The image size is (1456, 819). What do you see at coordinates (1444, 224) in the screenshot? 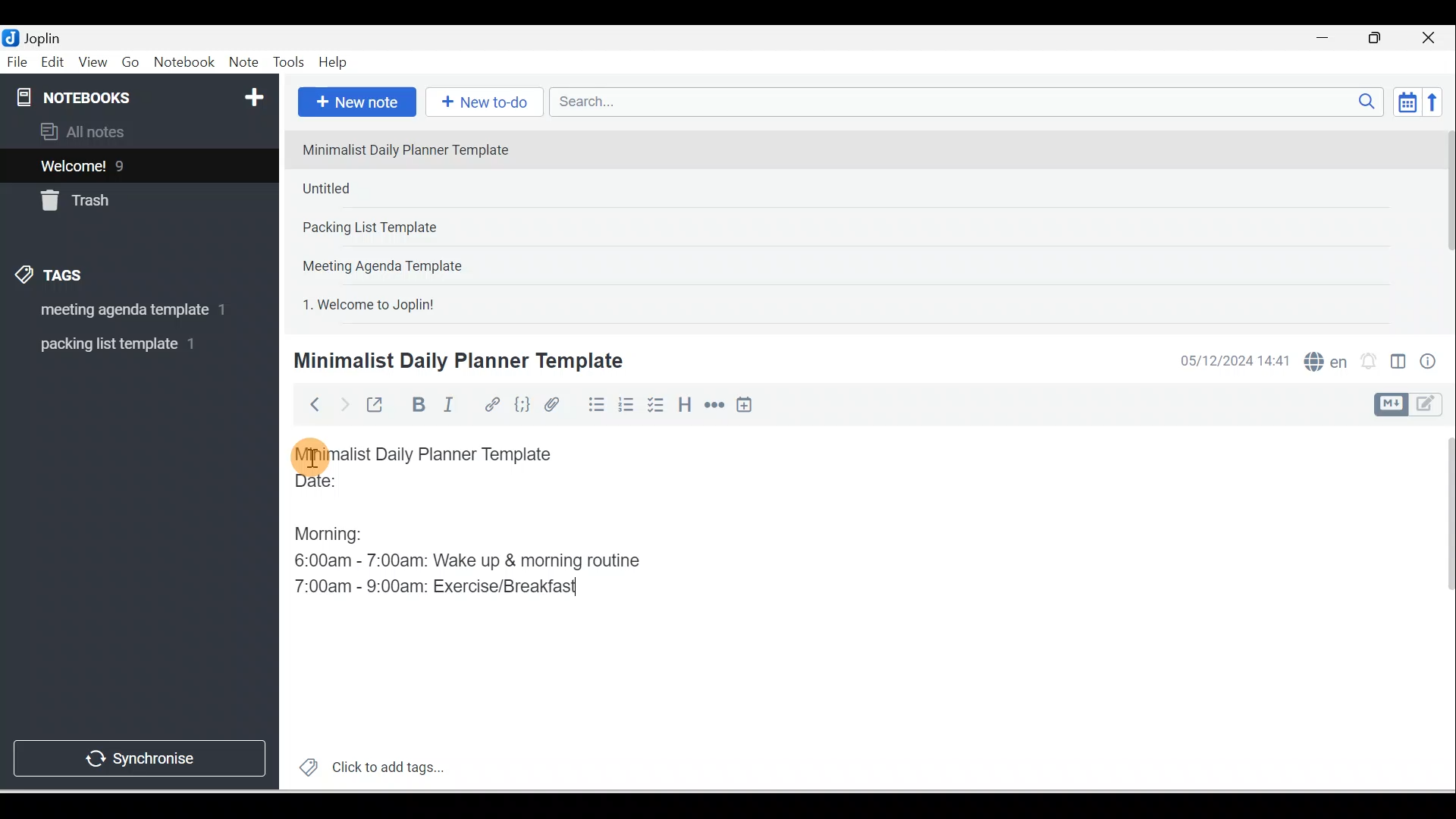
I see `Scroll bar` at bounding box center [1444, 224].